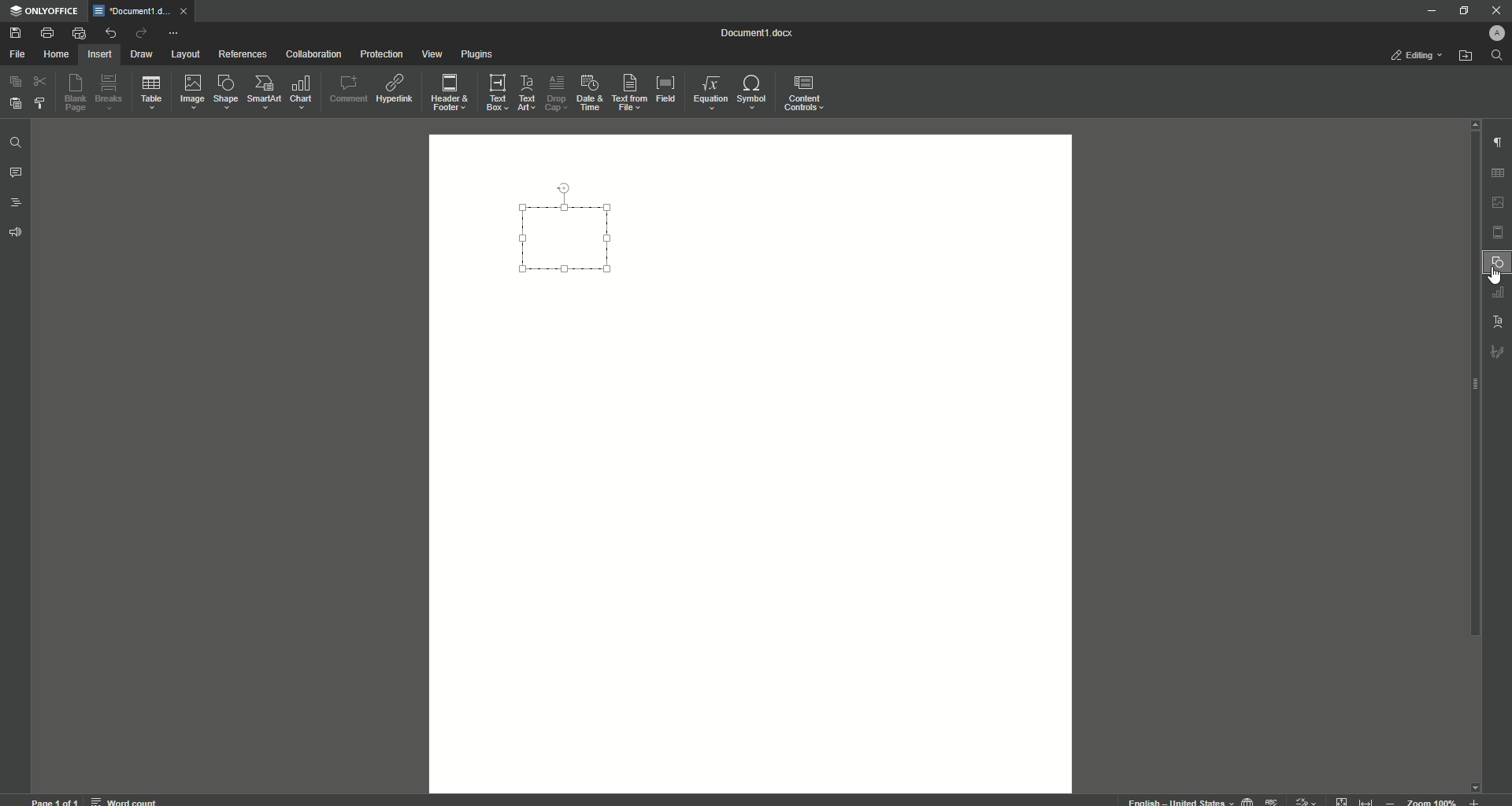 The image size is (1512, 806). Describe the element at coordinates (665, 87) in the screenshot. I see `Field` at that location.